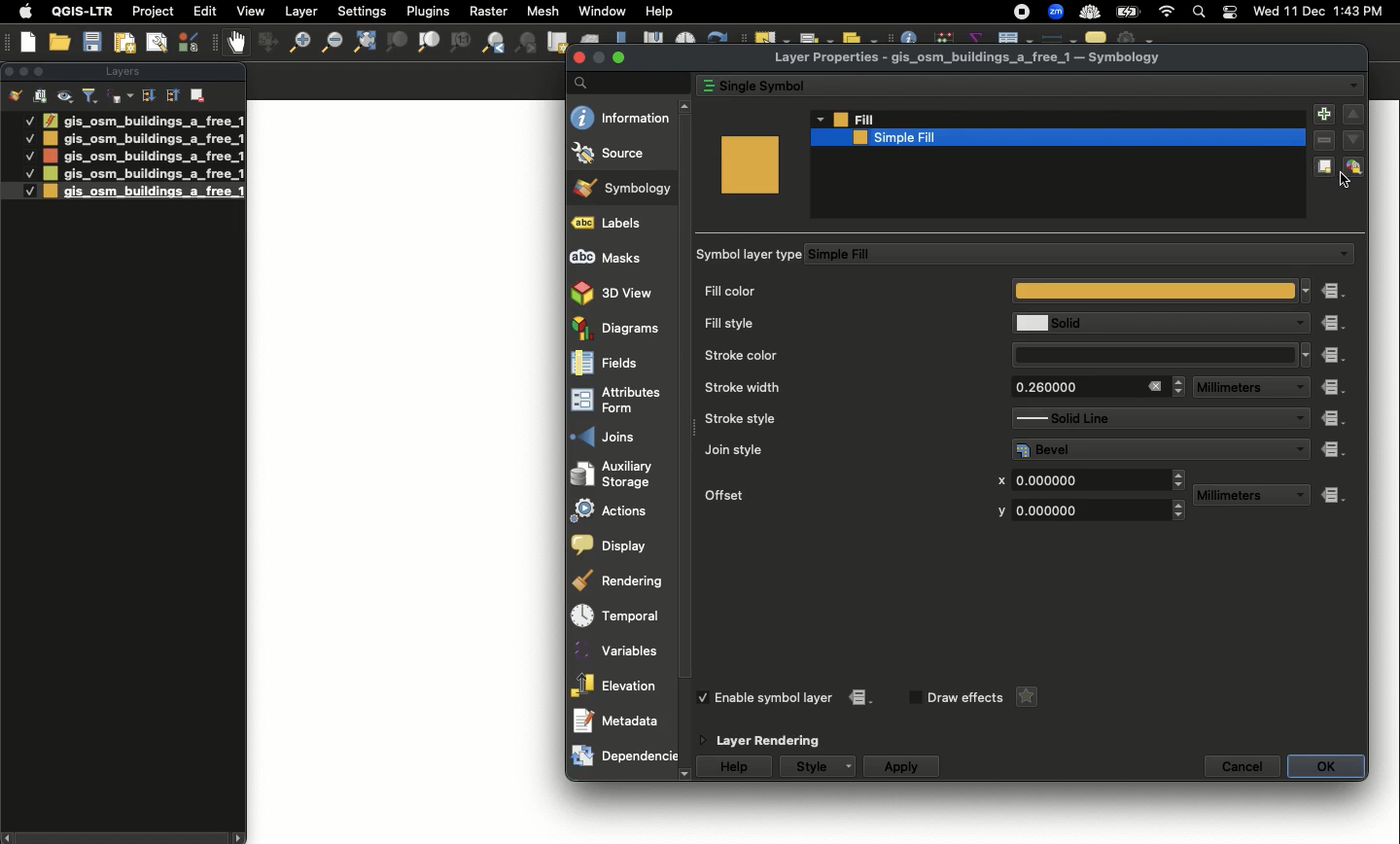  Describe the element at coordinates (1343, 255) in the screenshot. I see `Drop down` at that location.